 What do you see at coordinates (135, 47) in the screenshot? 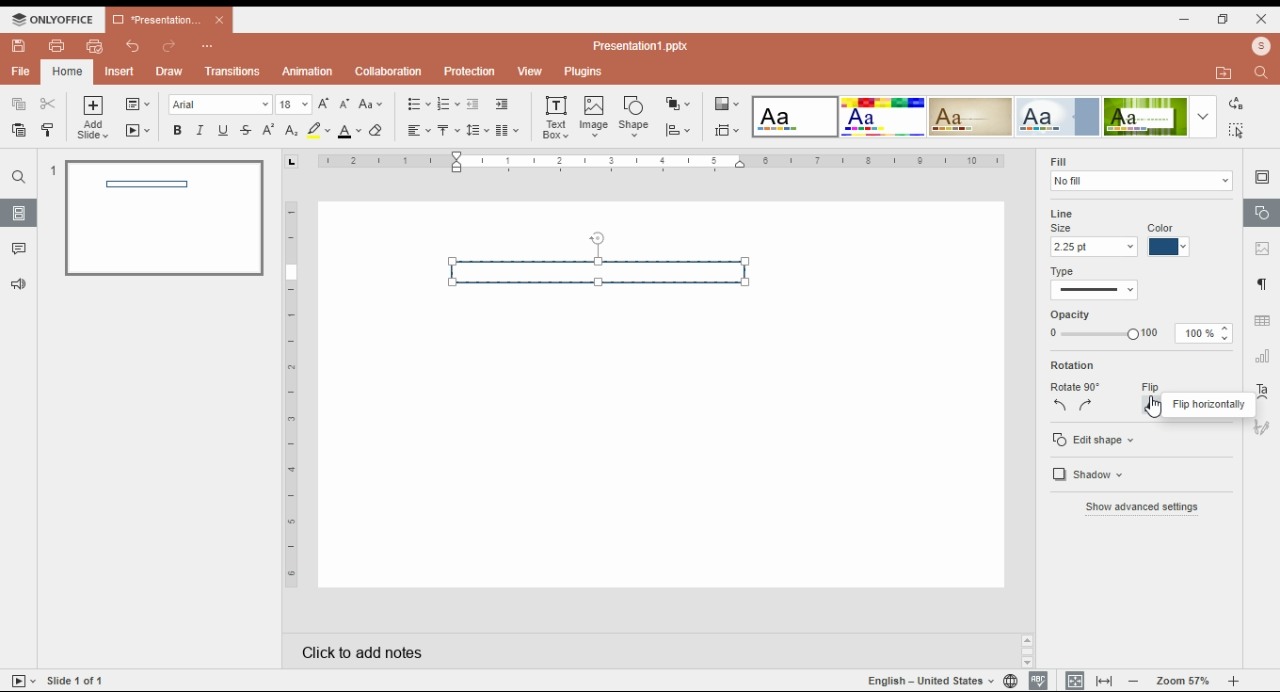
I see `undo` at bounding box center [135, 47].